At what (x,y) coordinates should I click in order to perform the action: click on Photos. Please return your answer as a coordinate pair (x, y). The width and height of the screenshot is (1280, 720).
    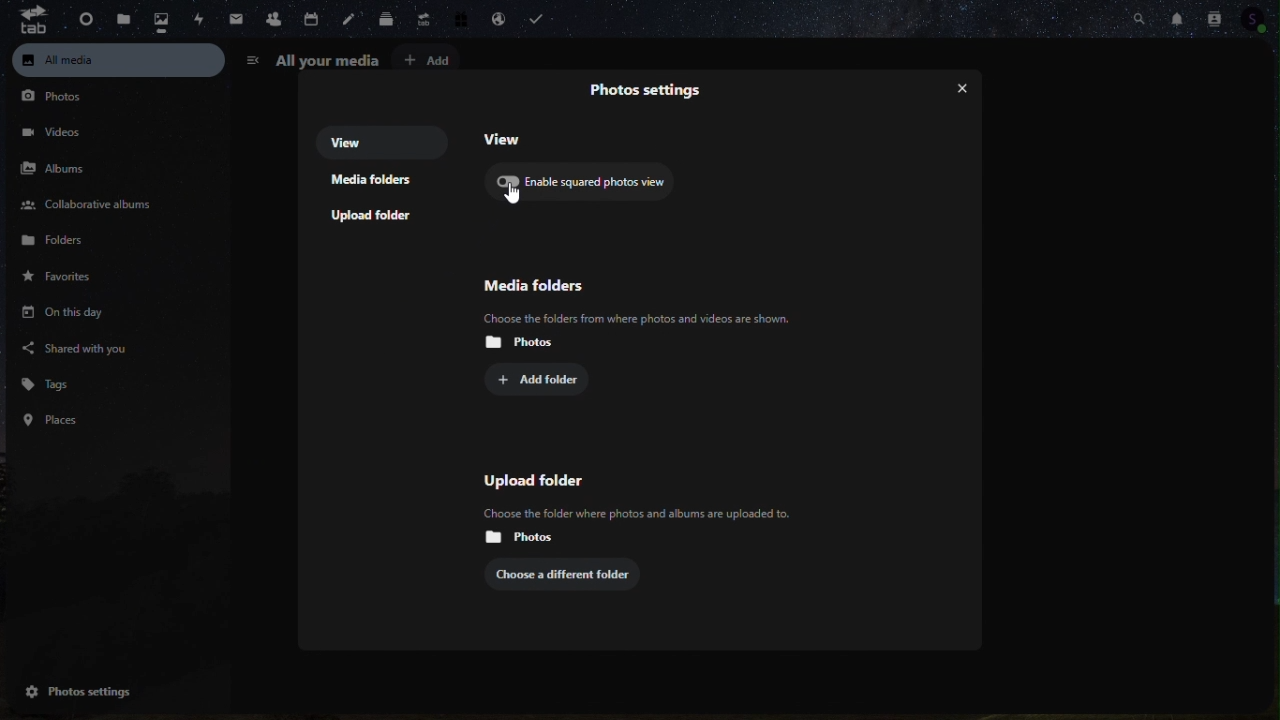
    Looking at the image, I should click on (61, 100).